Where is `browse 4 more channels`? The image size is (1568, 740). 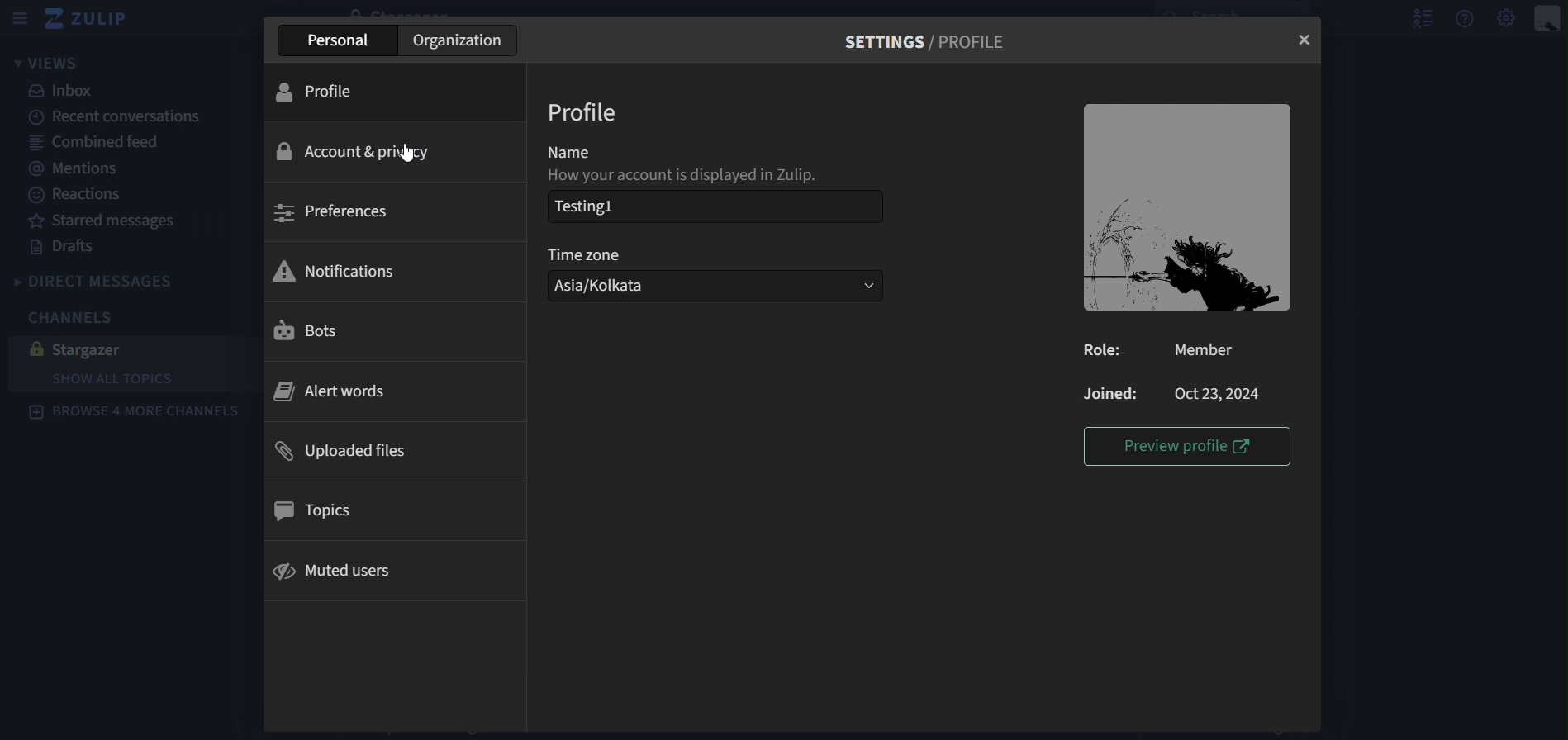
browse 4 more channels is located at coordinates (139, 415).